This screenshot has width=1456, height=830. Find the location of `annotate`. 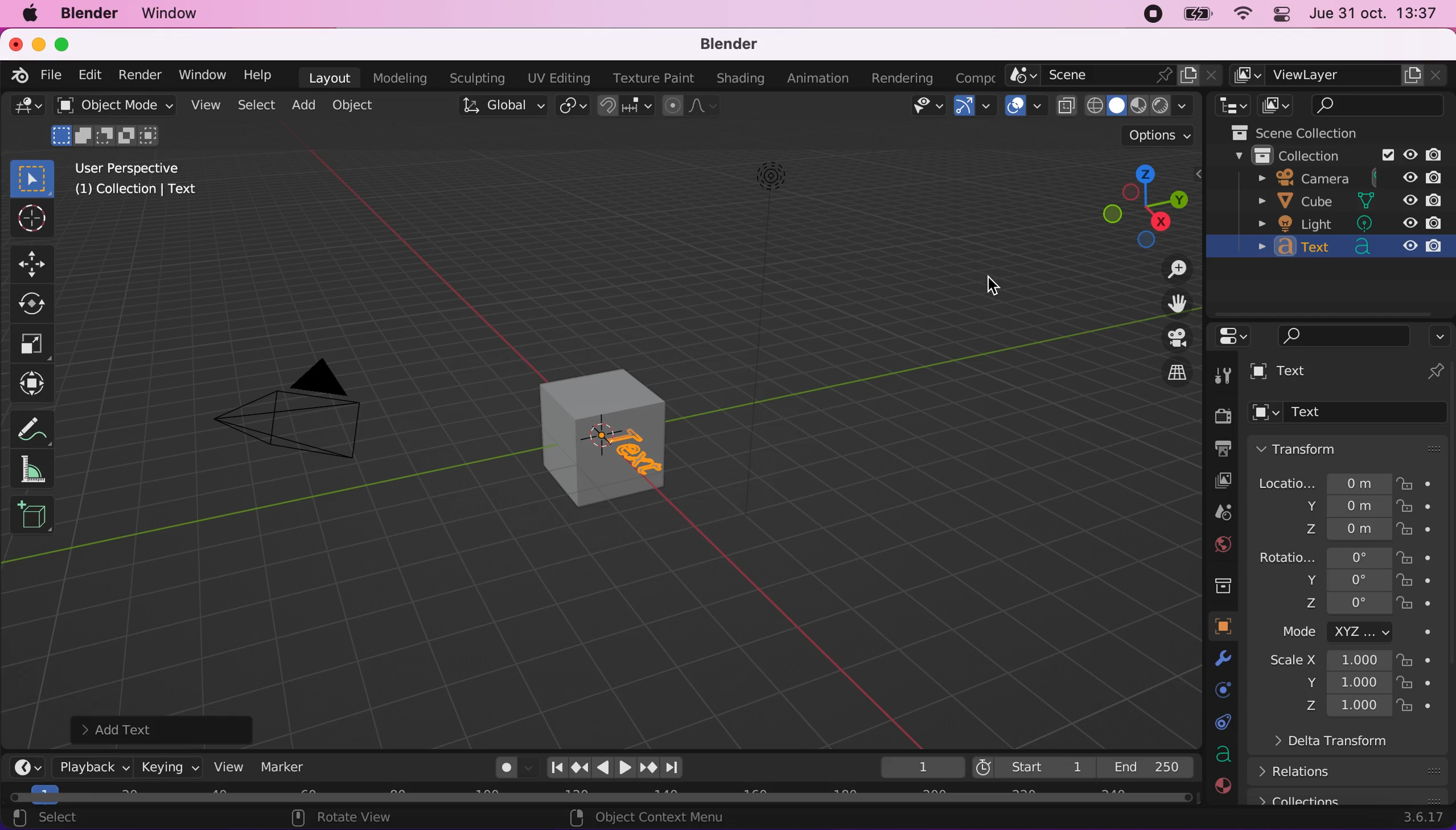

annotate is located at coordinates (36, 423).